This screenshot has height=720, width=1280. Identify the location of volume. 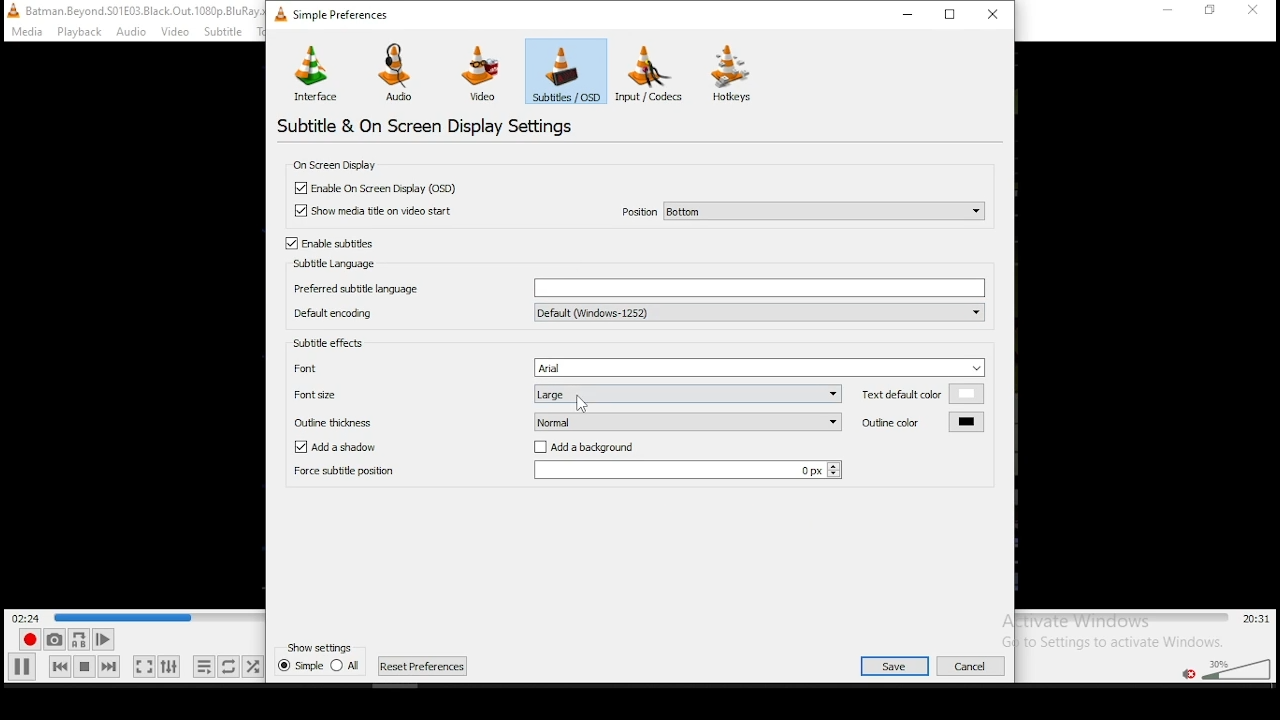
(1238, 667).